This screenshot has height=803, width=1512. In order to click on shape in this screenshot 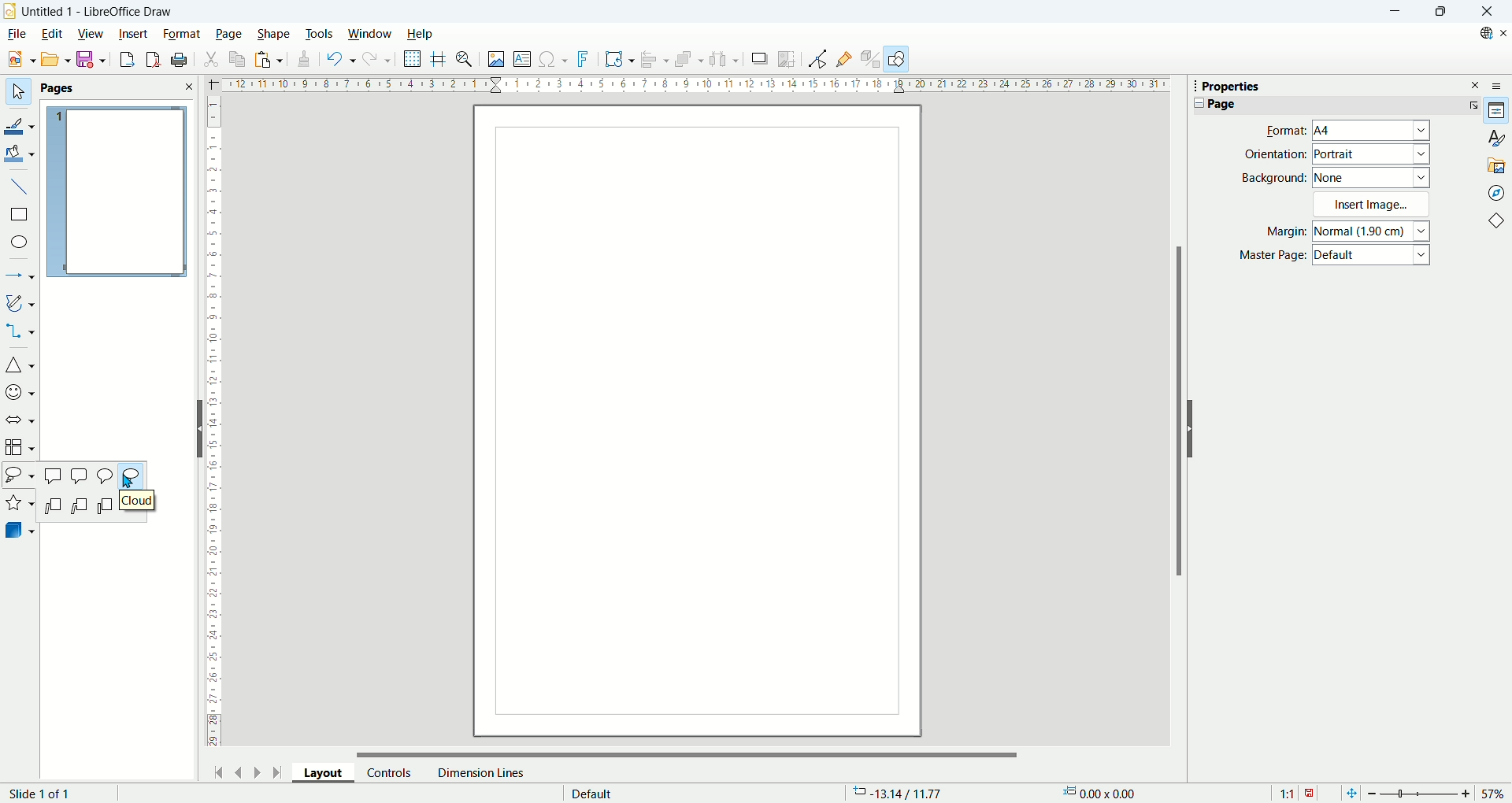, I will do `click(274, 34)`.